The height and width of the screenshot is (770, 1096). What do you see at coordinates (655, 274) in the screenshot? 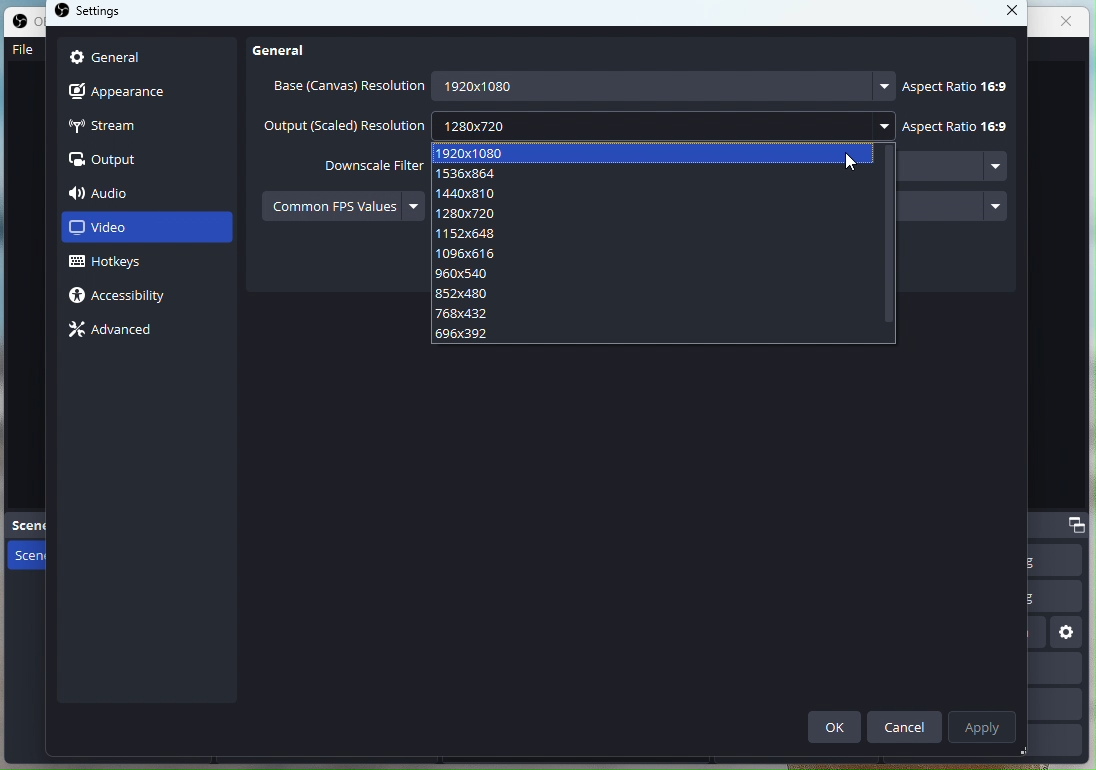
I see `960x540` at bounding box center [655, 274].